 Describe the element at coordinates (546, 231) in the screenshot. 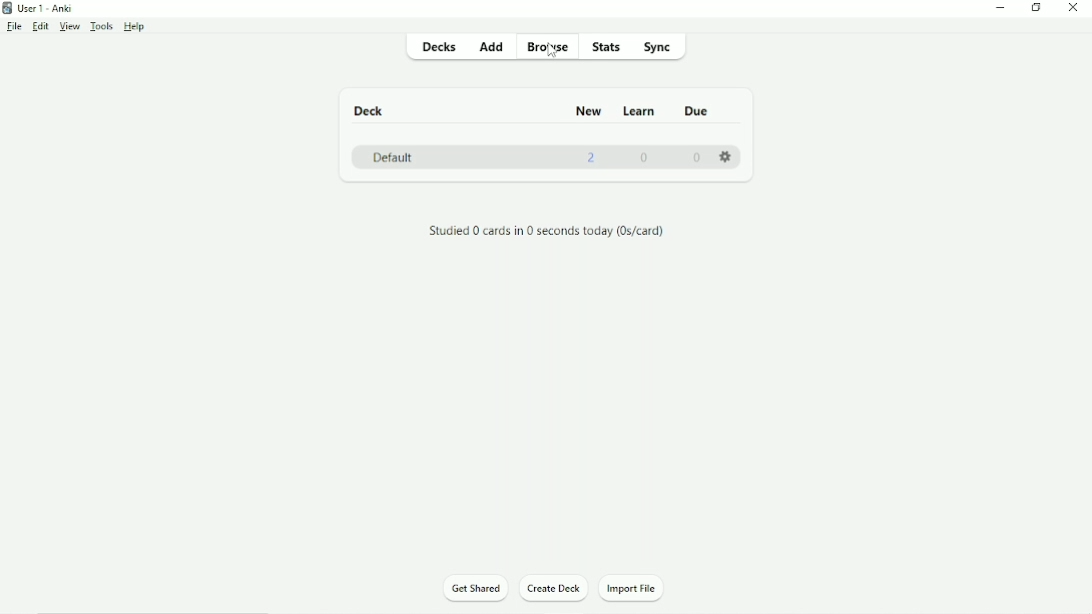

I see `Studied 0 cards in 0 seconds today.` at that location.